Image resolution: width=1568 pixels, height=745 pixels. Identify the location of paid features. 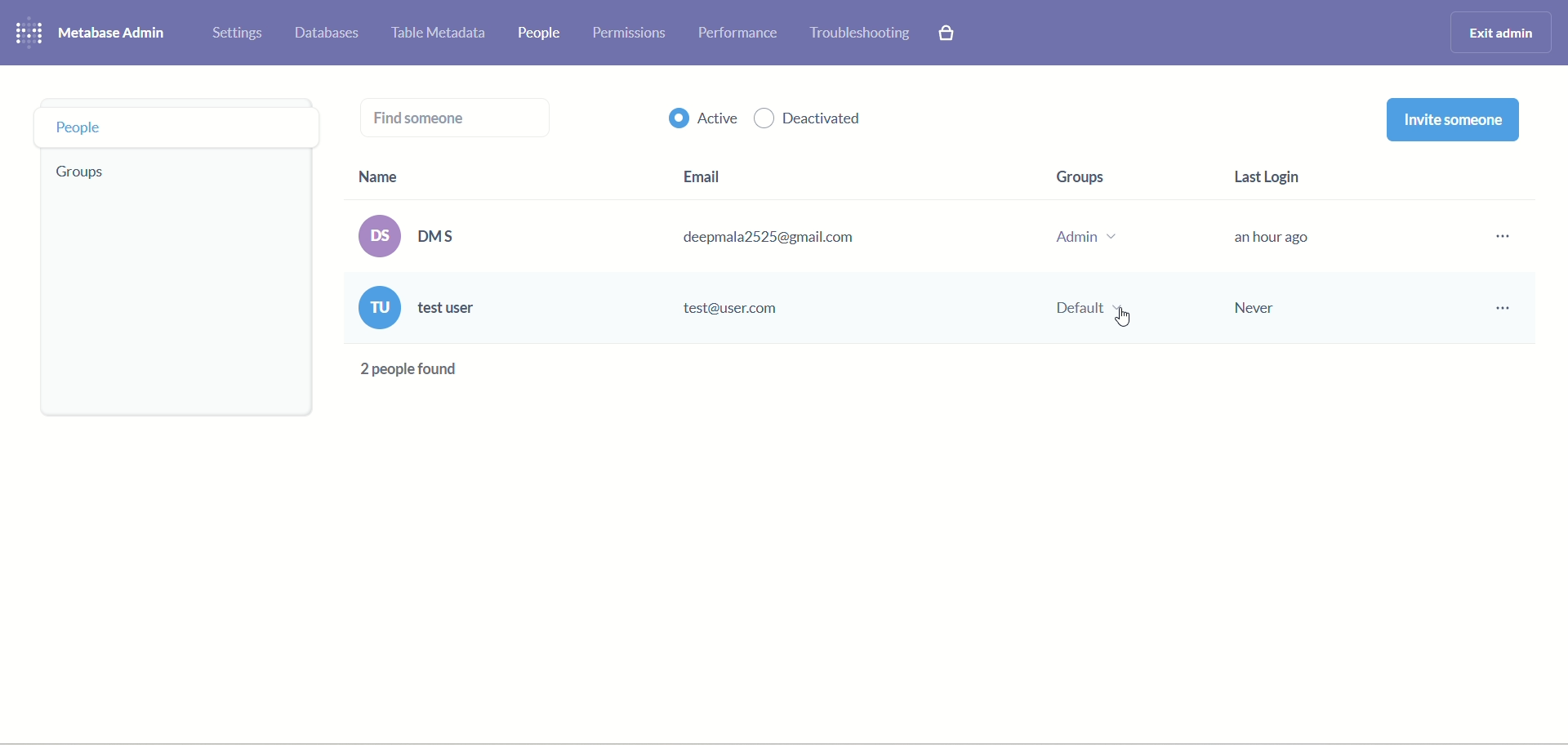
(951, 33).